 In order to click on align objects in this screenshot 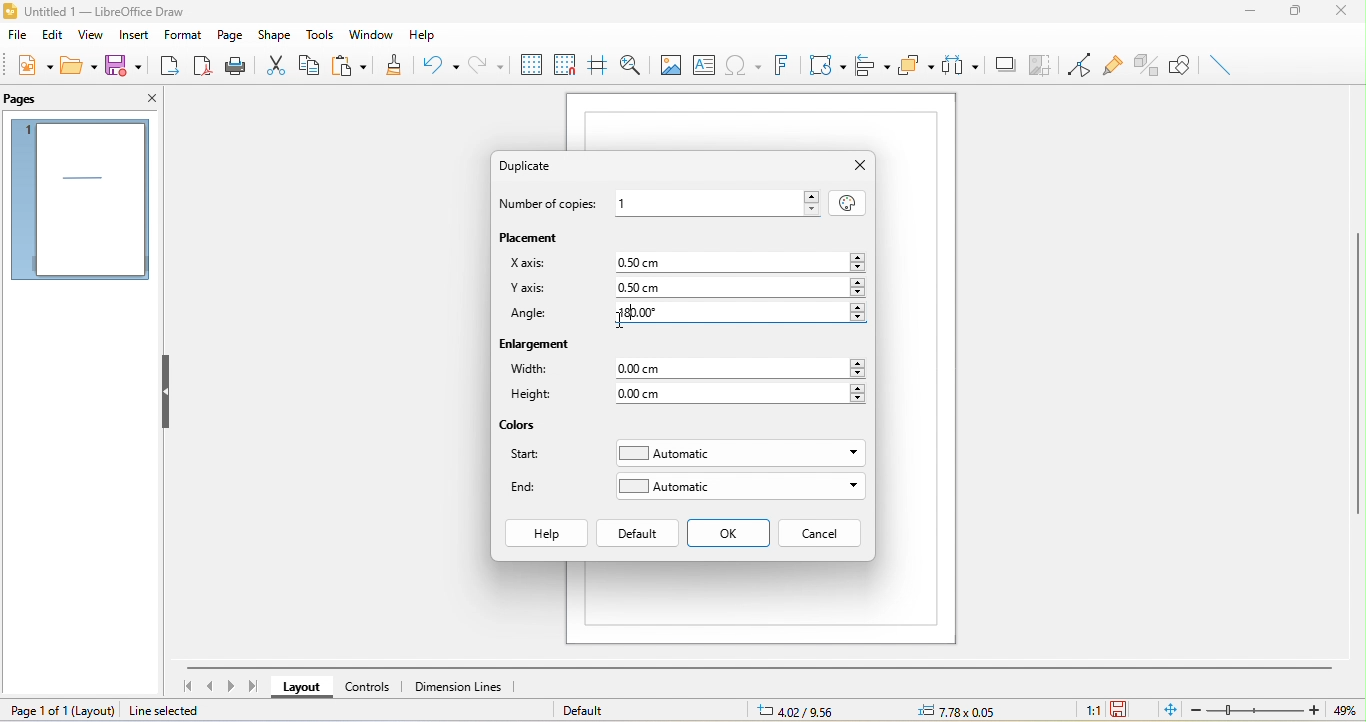, I will do `click(874, 66)`.